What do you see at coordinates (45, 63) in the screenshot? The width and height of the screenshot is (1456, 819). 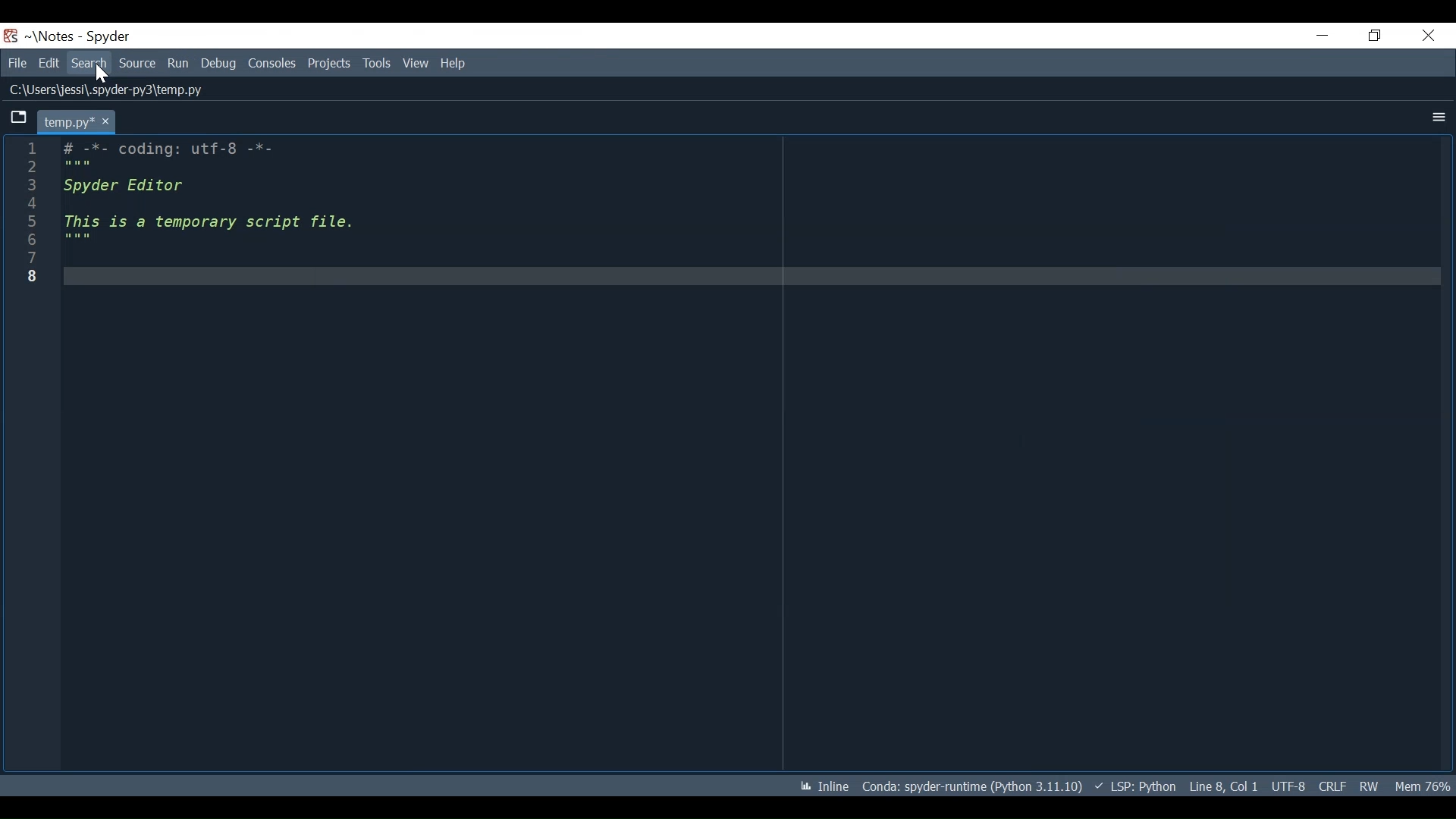 I see `Edit` at bounding box center [45, 63].